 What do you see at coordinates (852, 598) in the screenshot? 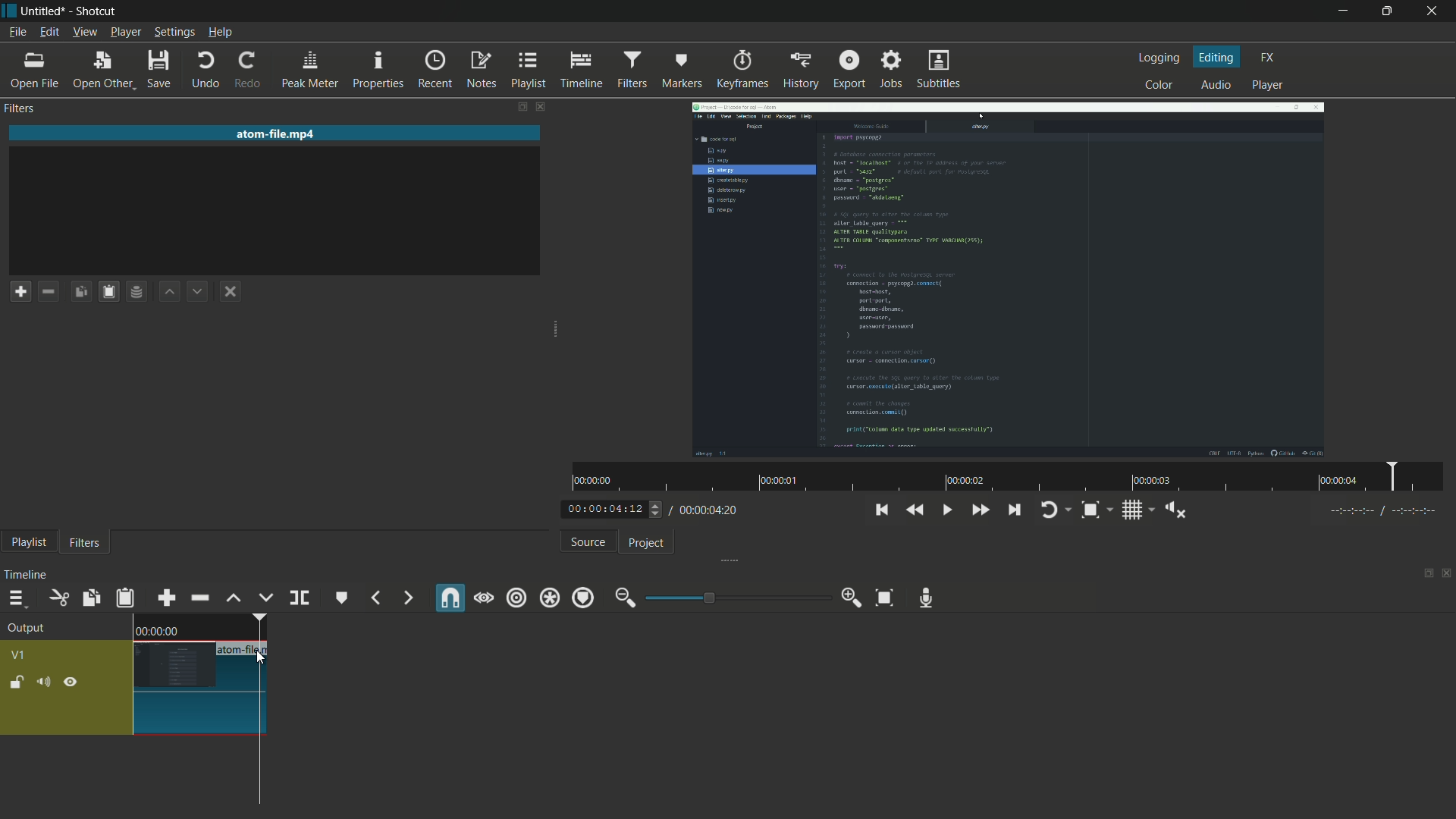
I see `zoom in` at bounding box center [852, 598].